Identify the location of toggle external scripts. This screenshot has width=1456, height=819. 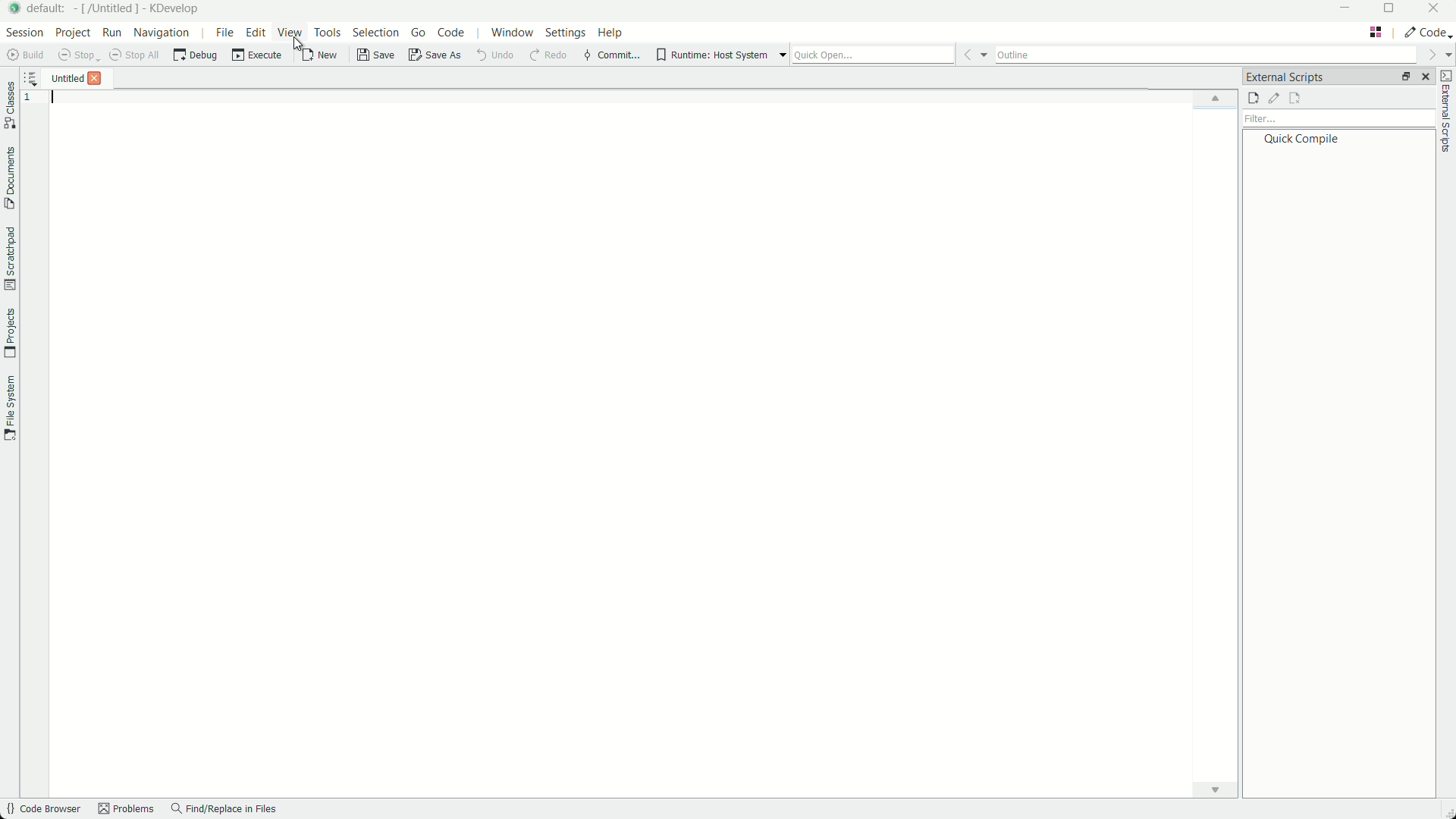
(1447, 114).